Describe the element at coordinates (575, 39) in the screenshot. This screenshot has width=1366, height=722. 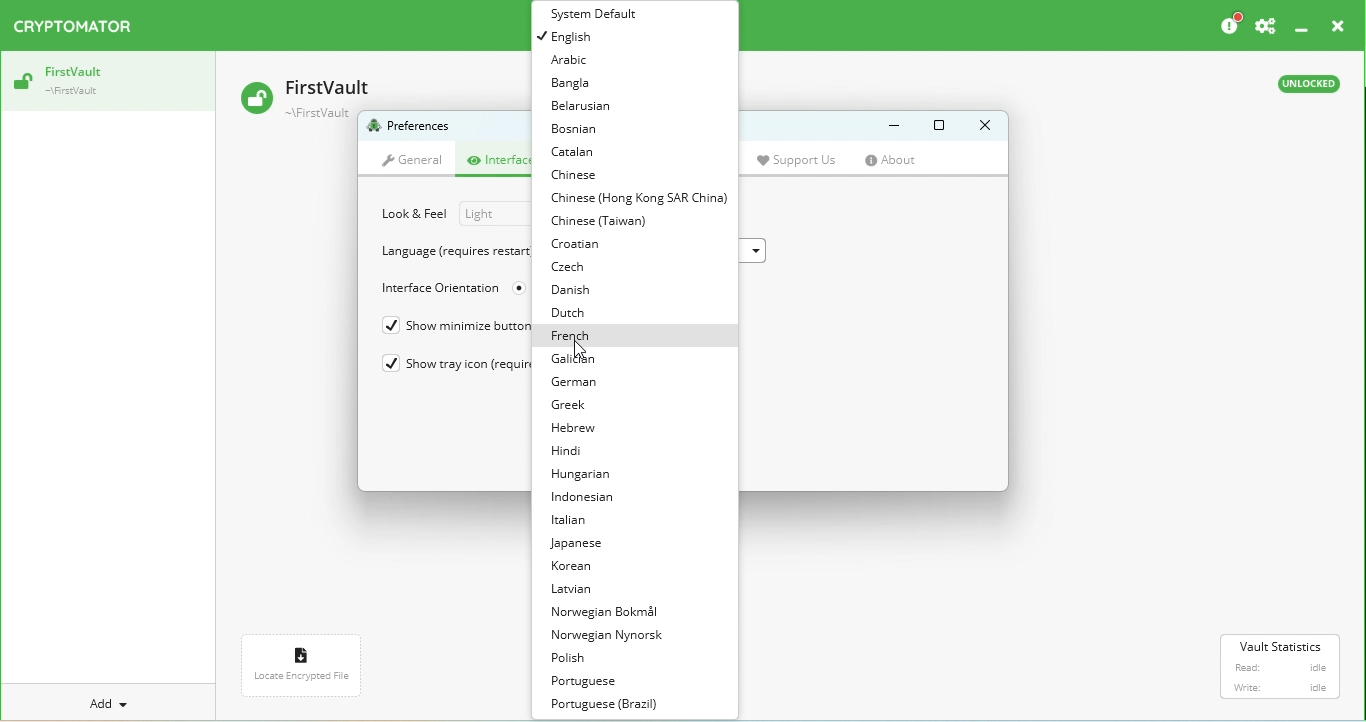
I see `English` at that location.